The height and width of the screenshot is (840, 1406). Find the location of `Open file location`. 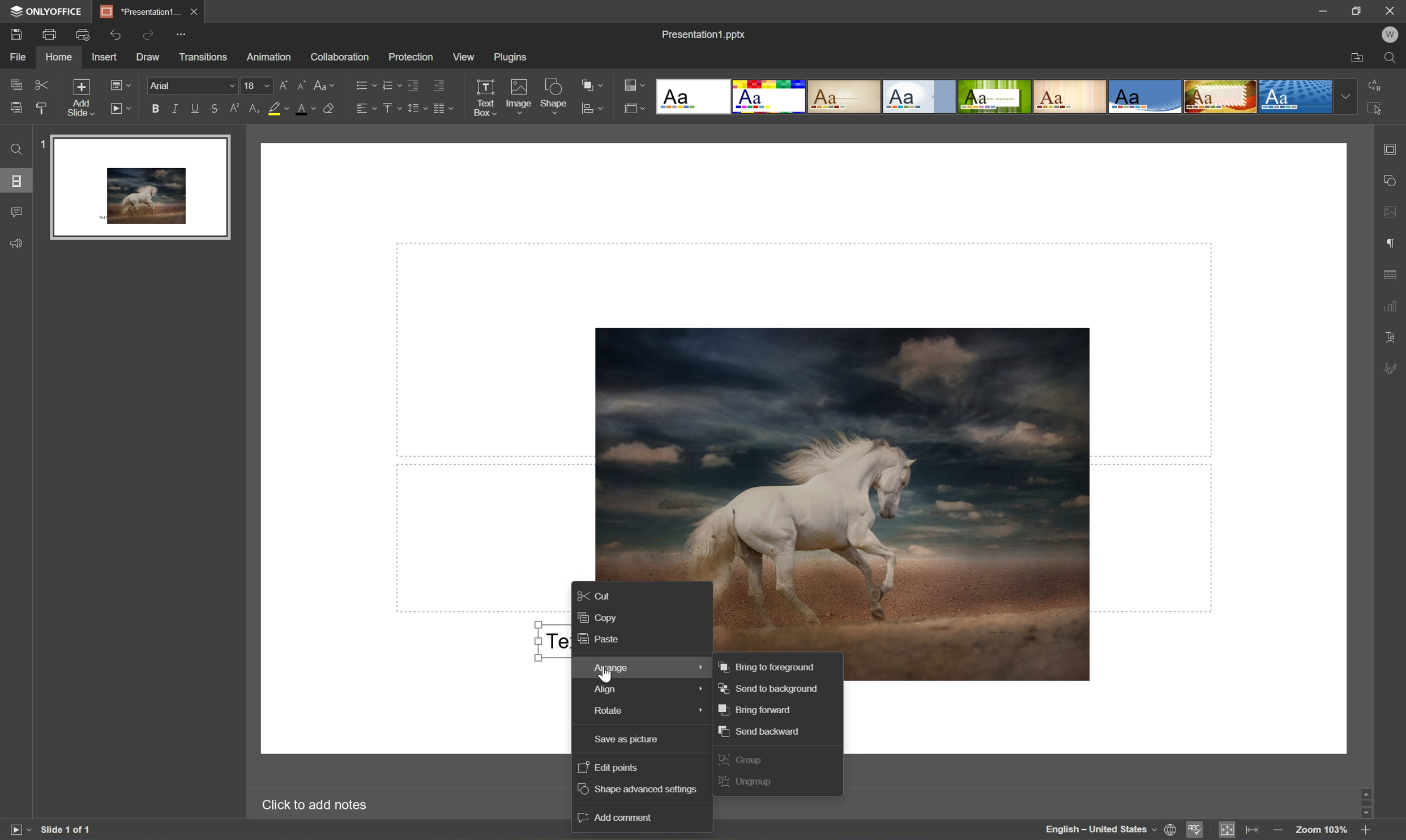

Open file location is located at coordinates (1357, 56).